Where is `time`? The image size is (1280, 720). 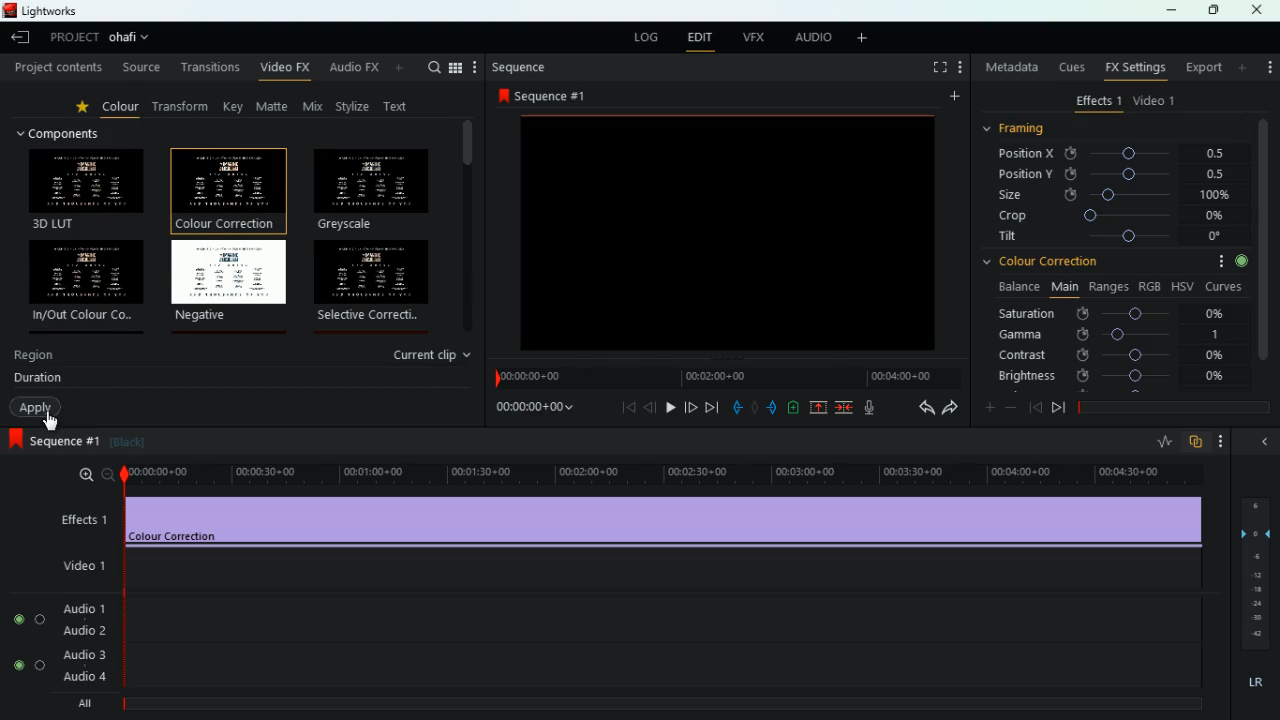 time is located at coordinates (531, 410).